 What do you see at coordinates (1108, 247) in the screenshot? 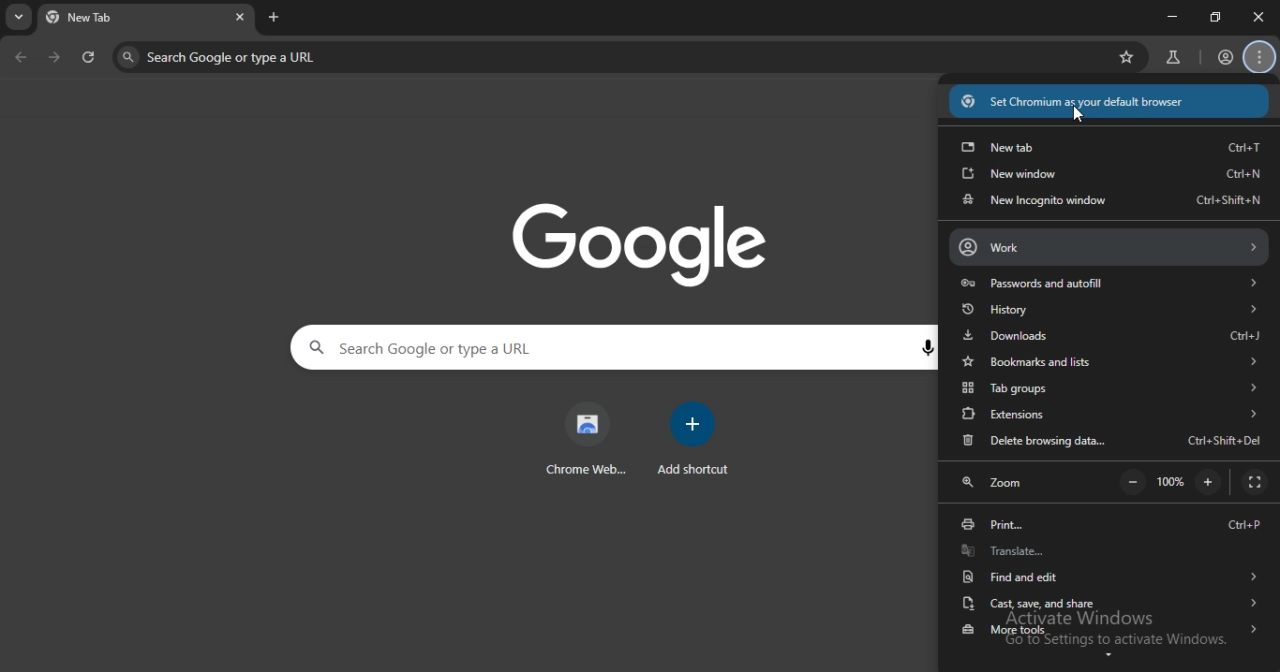
I see `work` at bounding box center [1108, 247].